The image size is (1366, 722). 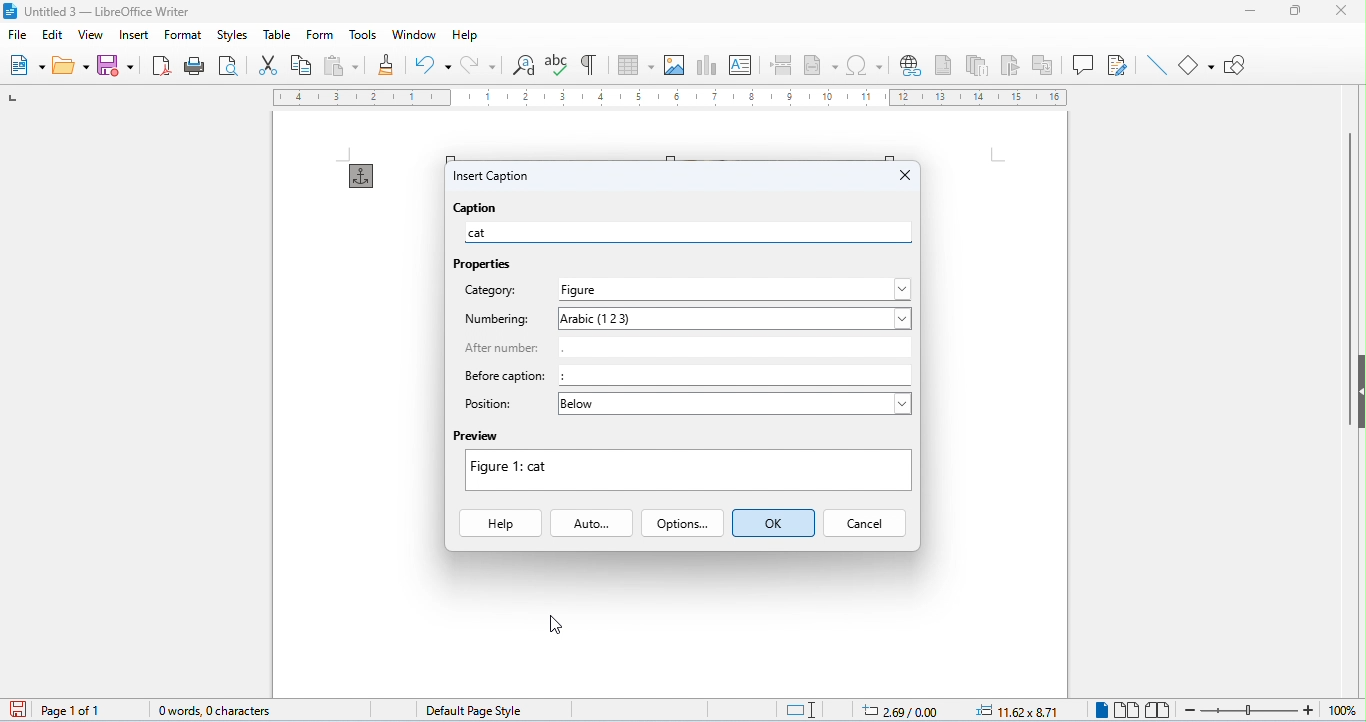 I want to click on cursor position, so click(x=891, y=709).